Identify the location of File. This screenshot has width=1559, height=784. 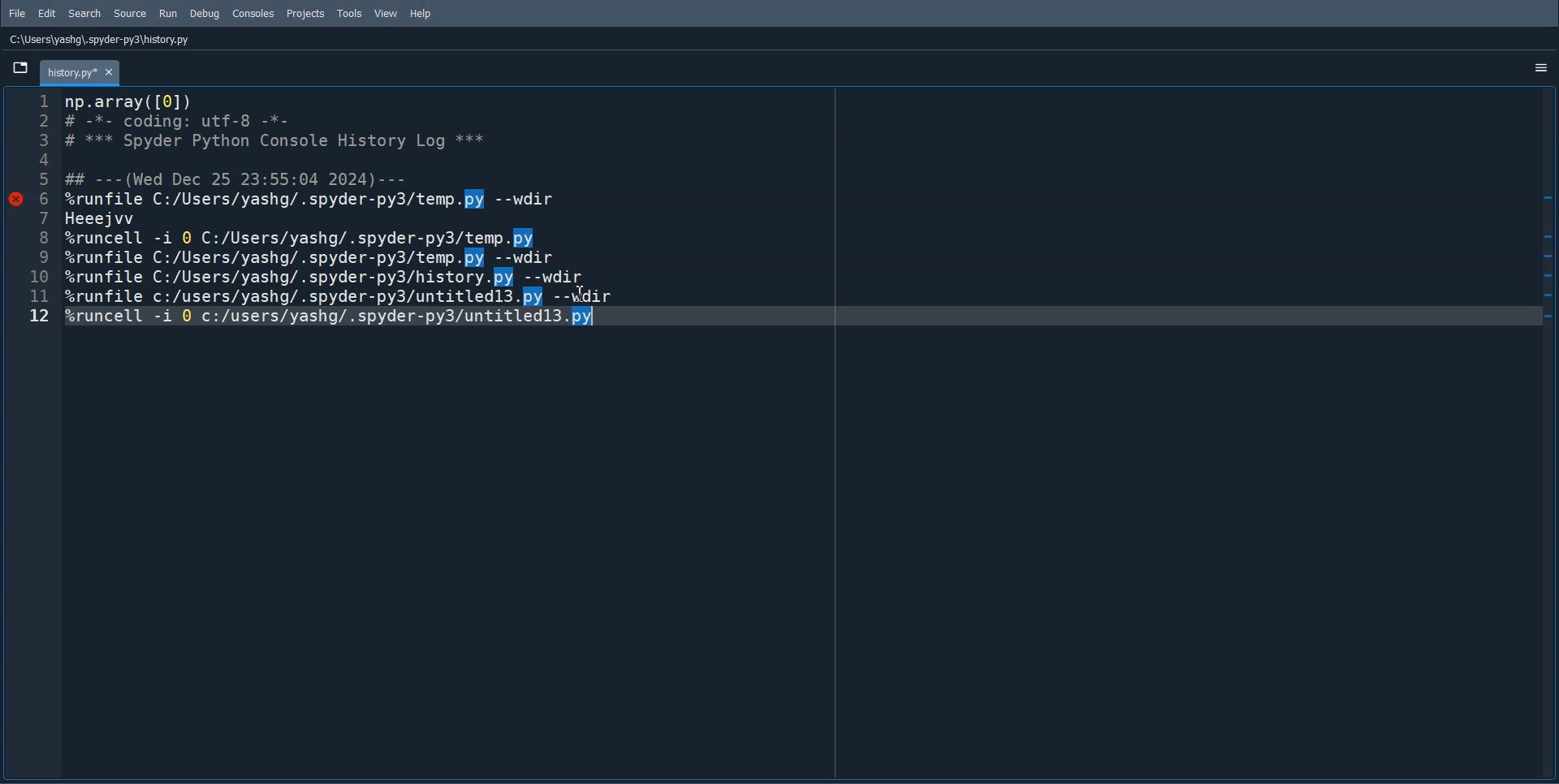
(18, 13).